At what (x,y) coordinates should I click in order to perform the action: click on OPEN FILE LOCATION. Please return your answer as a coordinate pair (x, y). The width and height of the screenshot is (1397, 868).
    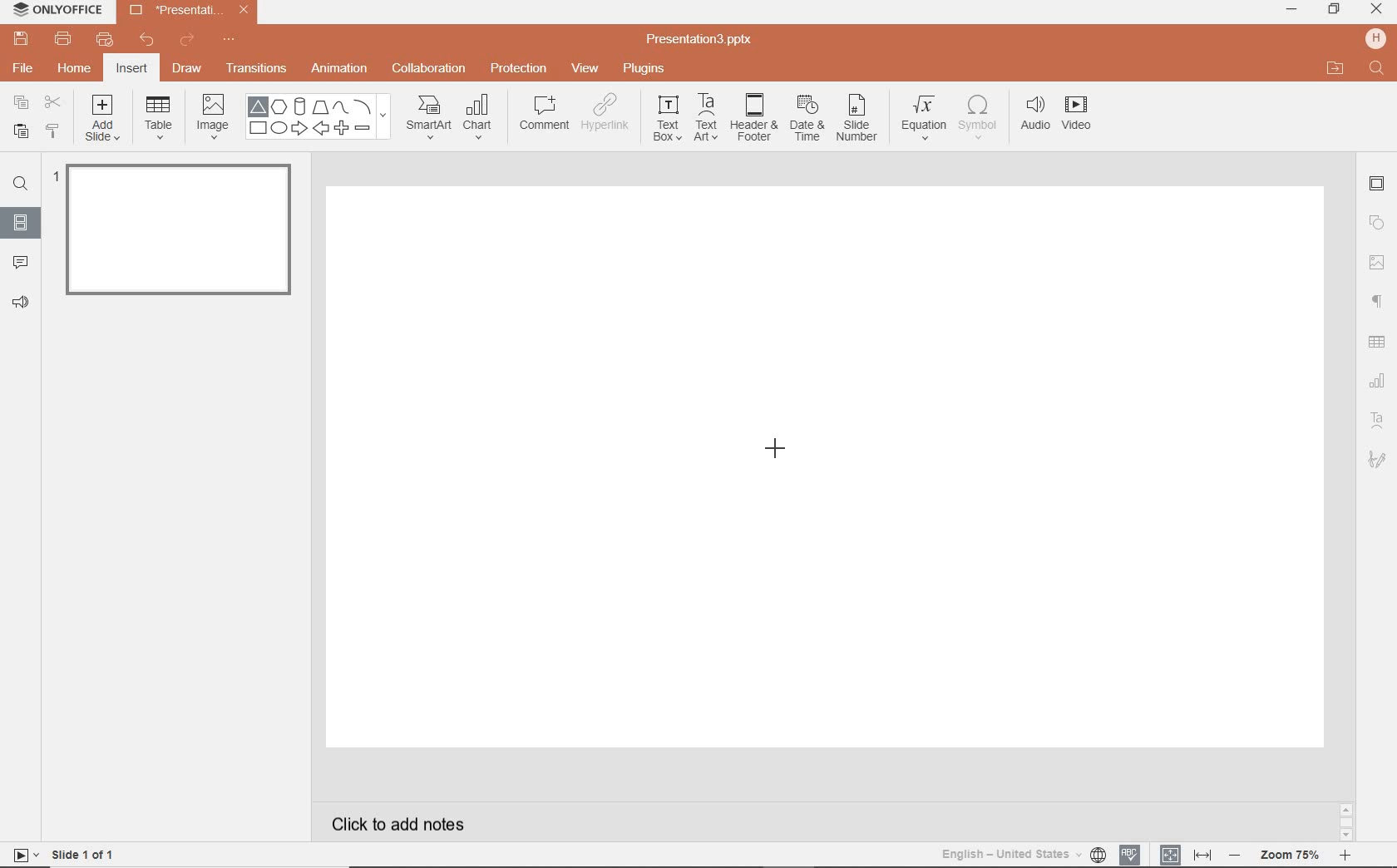
    Looking at the image, I should click on (1335, 68).